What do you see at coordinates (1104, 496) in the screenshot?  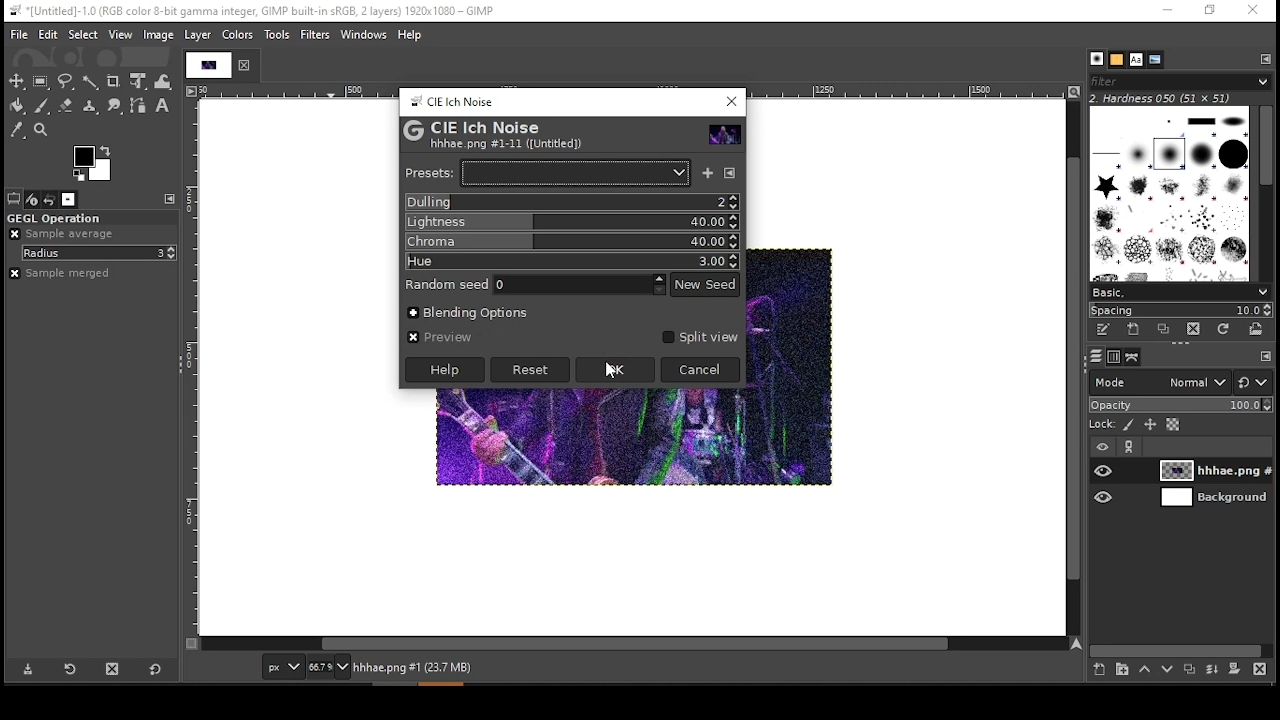 I see `layer visibility on/off` at bounding box center [1104, 496].